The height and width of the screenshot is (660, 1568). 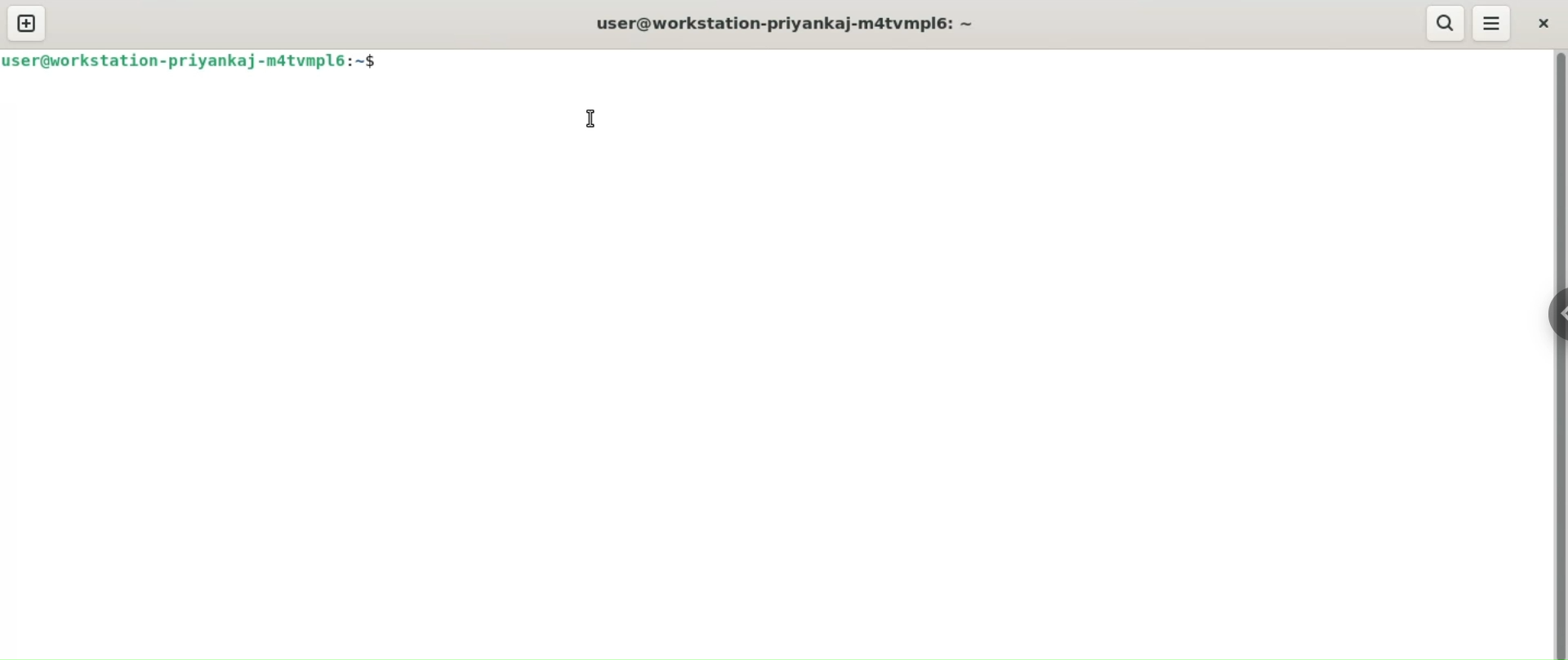 I want to click on command input , so click(x=964, y=60).